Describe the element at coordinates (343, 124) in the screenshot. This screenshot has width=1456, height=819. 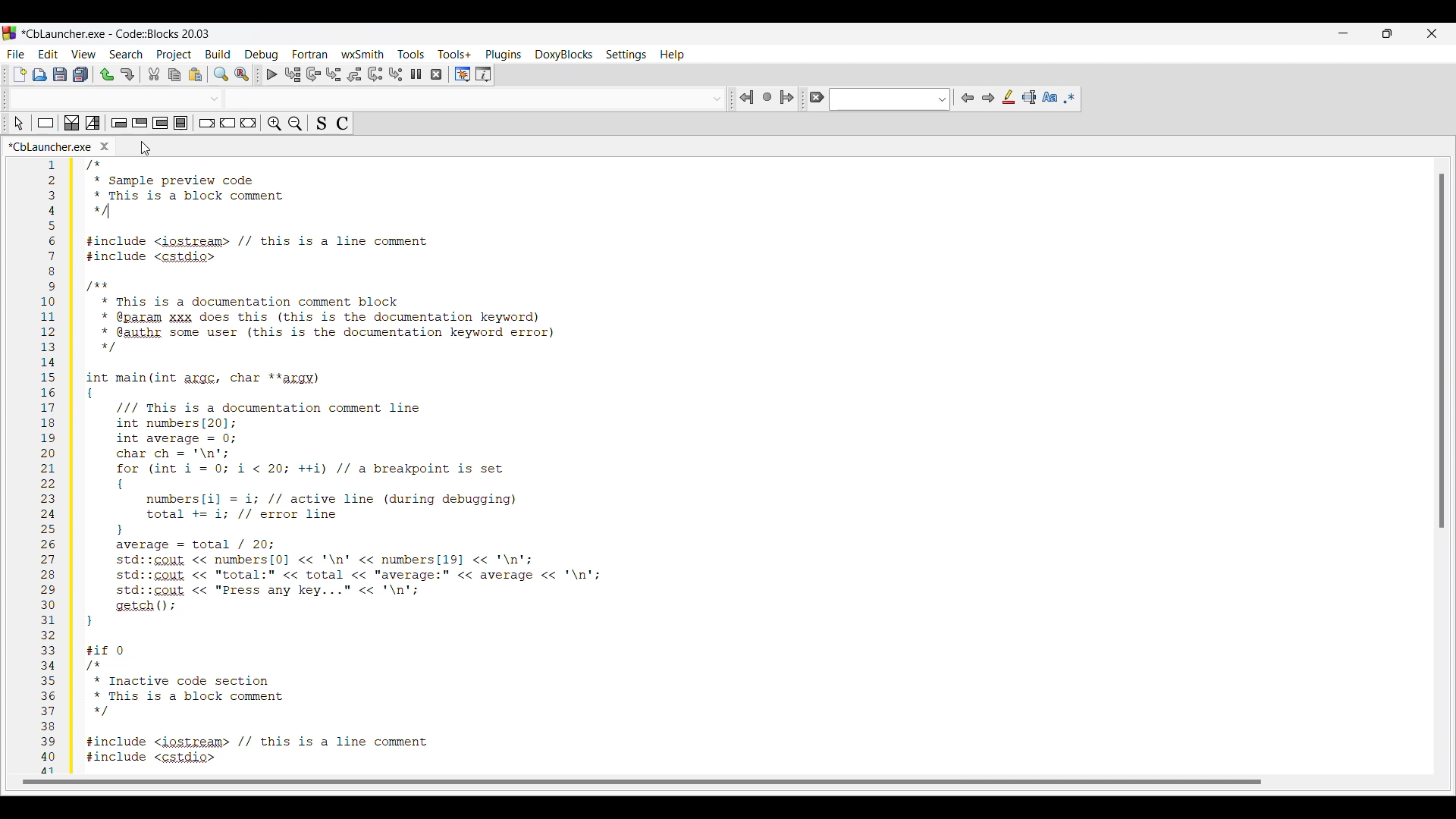
I see `Toggle comments` at that location.